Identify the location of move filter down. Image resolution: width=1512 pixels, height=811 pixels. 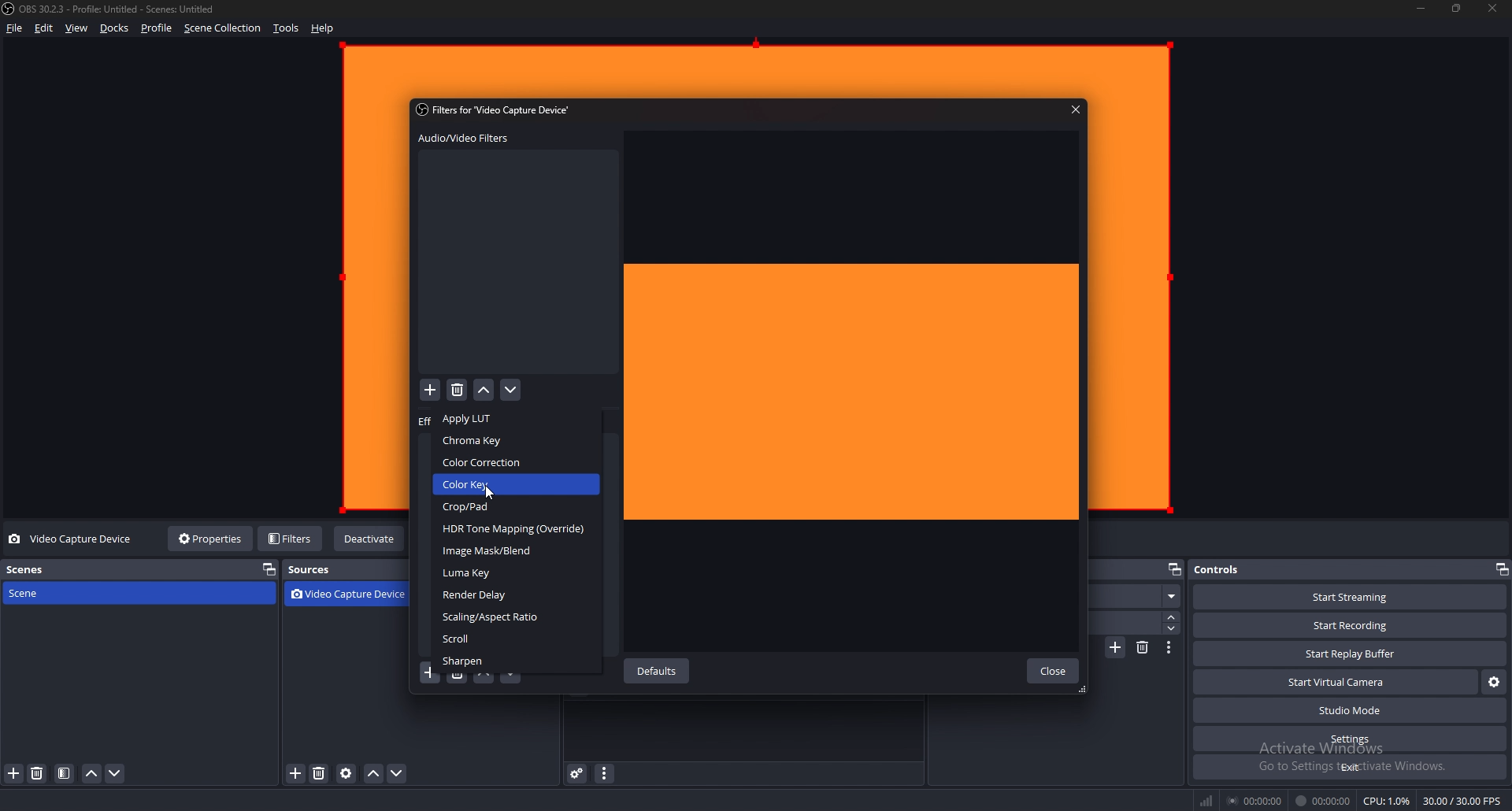
(511, 676).